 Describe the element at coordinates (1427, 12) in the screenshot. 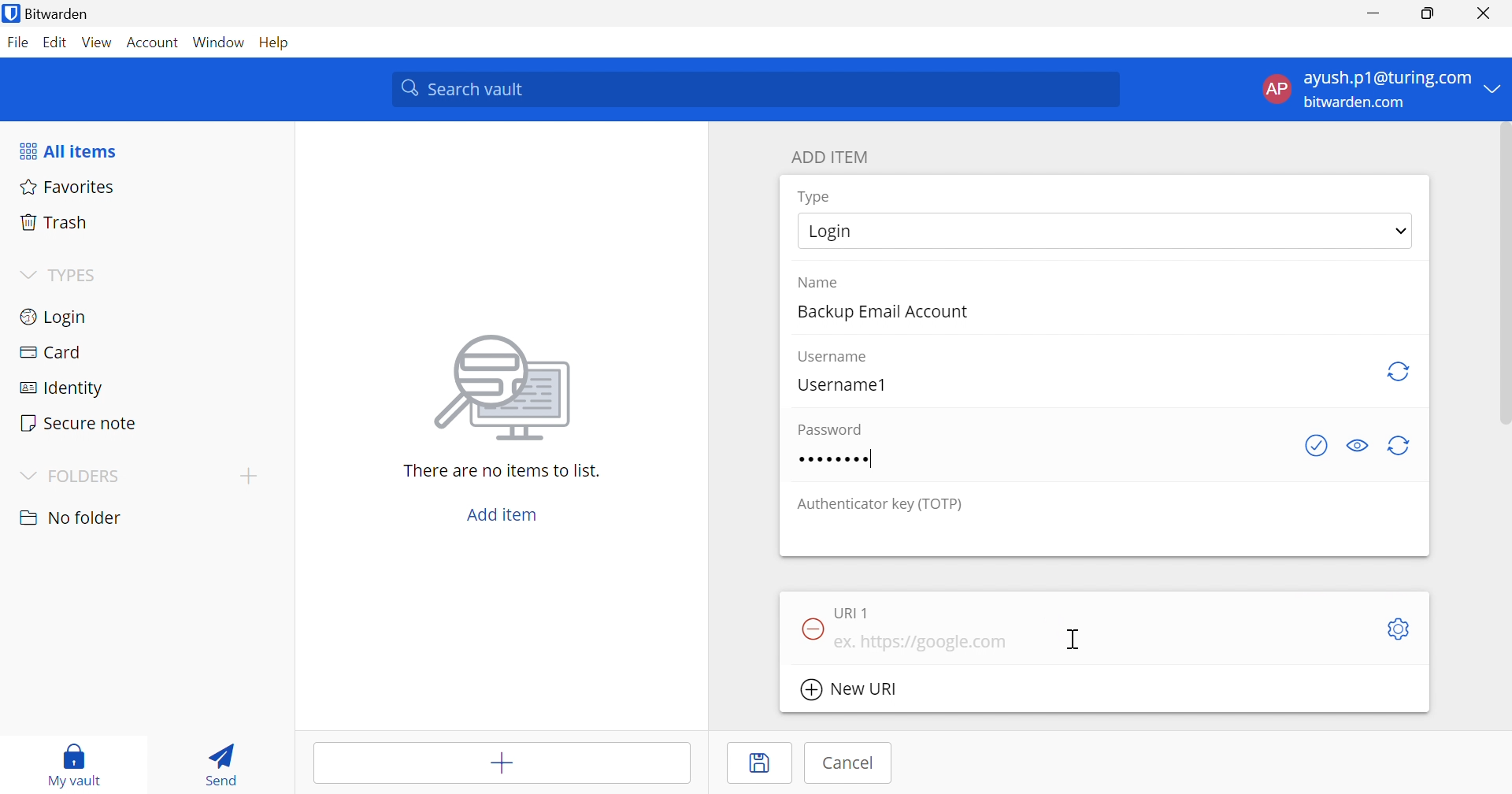

I see `Restore Down` at that location.